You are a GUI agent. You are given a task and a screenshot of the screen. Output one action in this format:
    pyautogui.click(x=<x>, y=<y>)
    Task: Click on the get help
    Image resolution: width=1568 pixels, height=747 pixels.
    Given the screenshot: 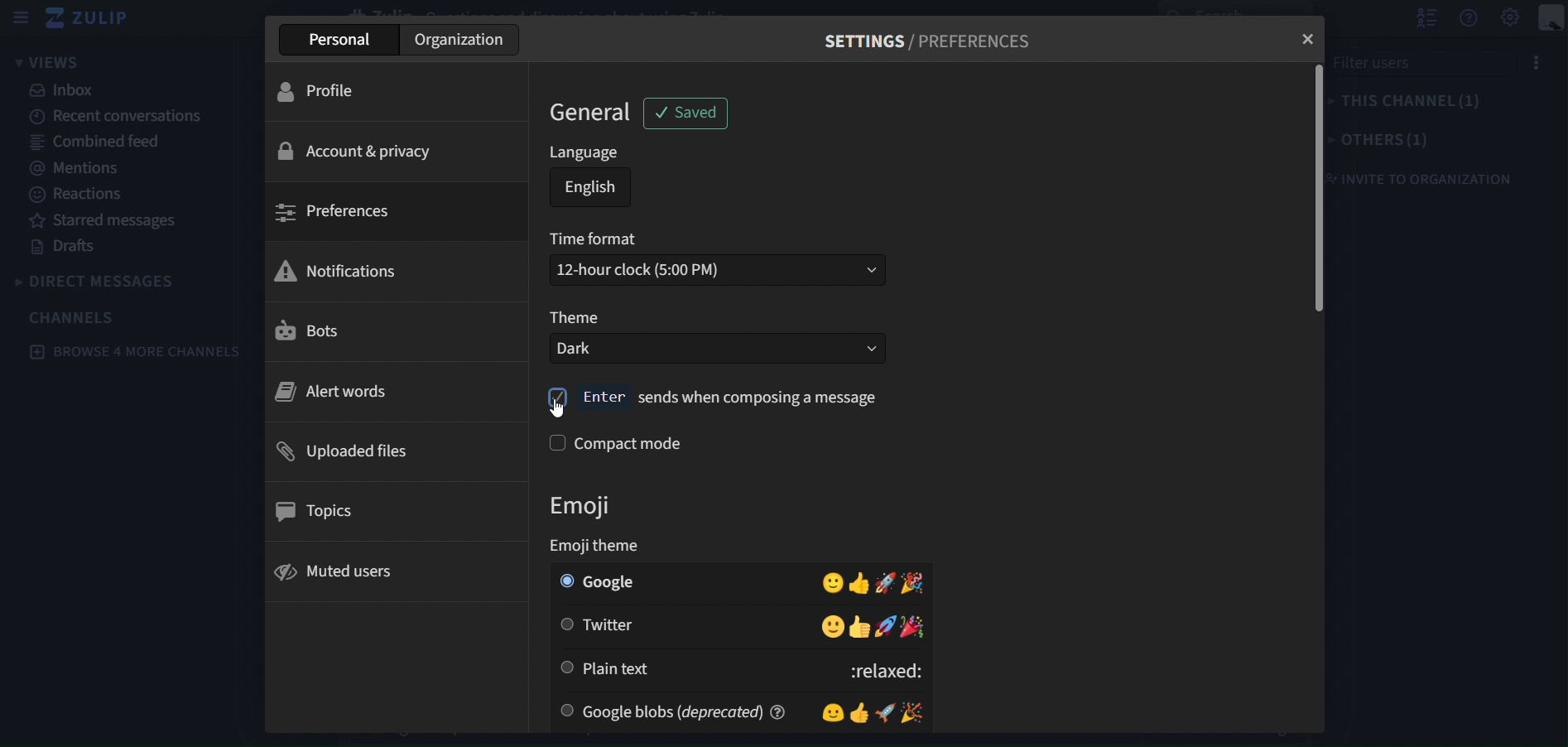 What is the action you would take?
    pyautogui.click(x=1470, y=19)
    